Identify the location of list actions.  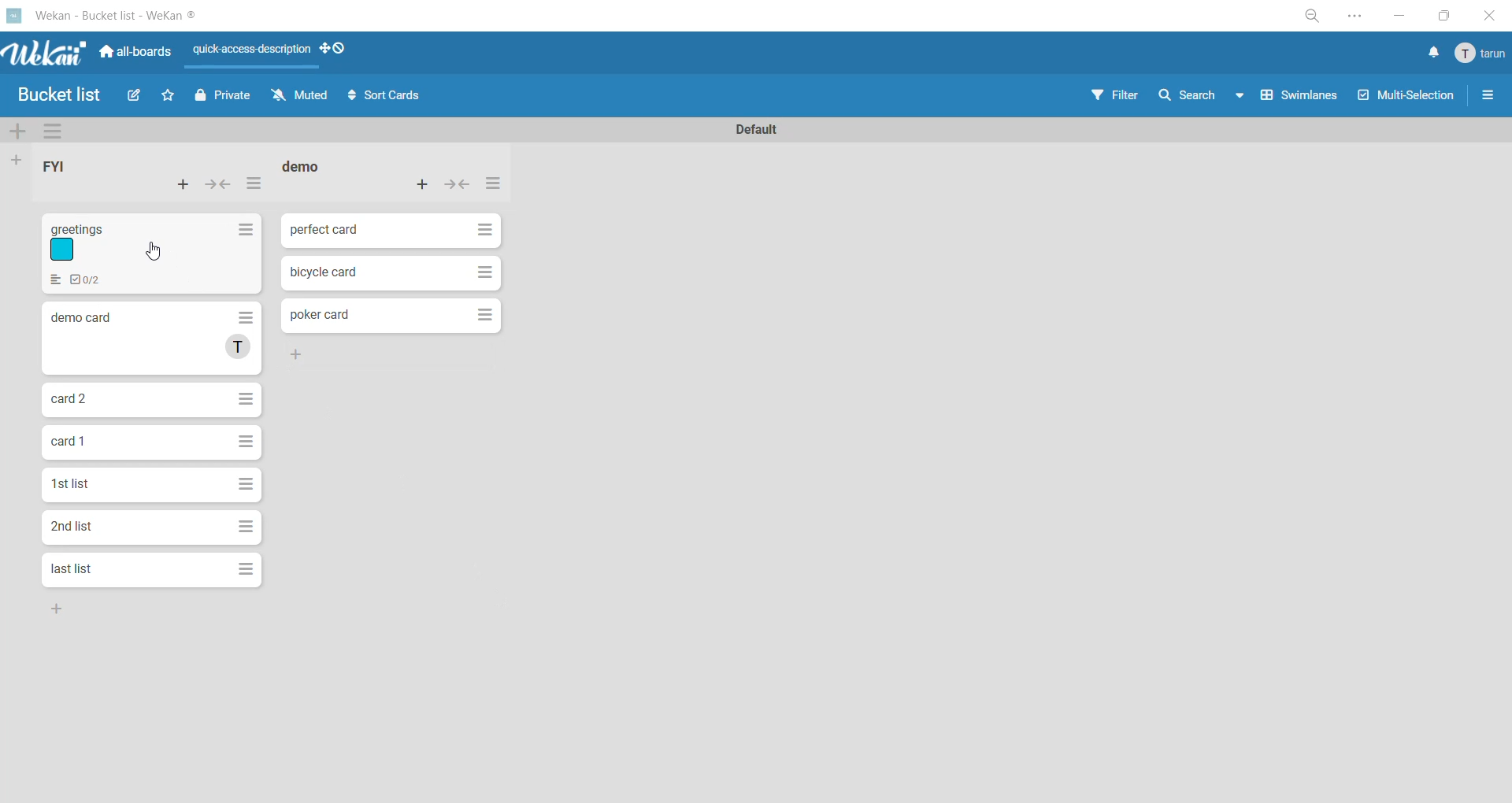
(254, 184).